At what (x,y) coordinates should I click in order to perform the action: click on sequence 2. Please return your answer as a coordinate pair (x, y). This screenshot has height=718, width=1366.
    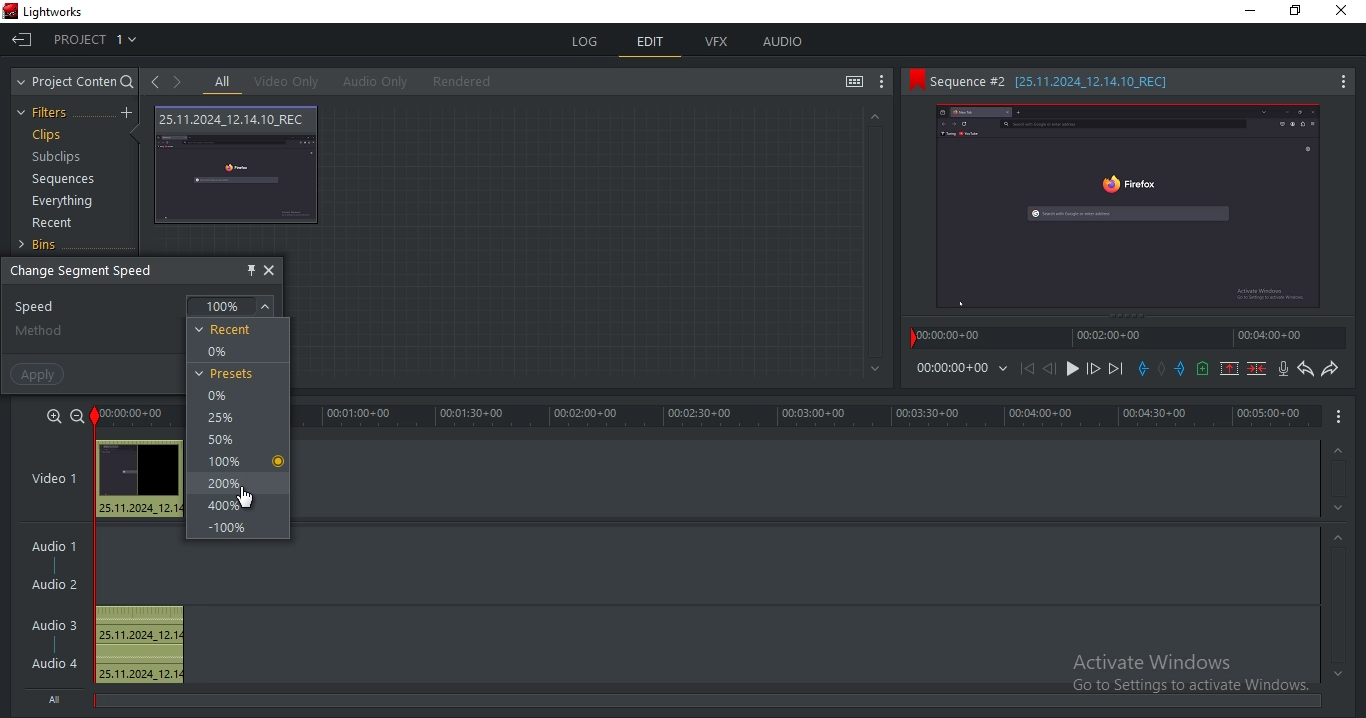
    Looking at the image, I should click on (1130, 83).